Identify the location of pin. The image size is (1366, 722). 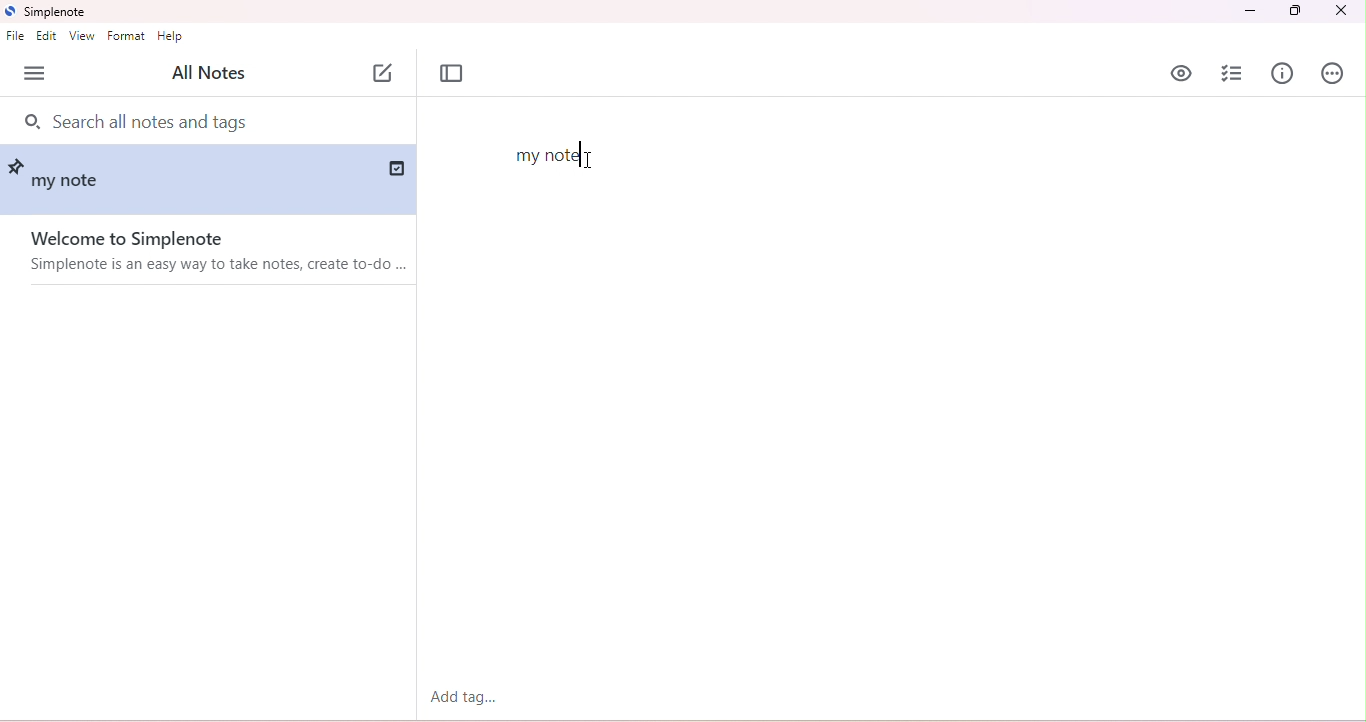
(19, 164).